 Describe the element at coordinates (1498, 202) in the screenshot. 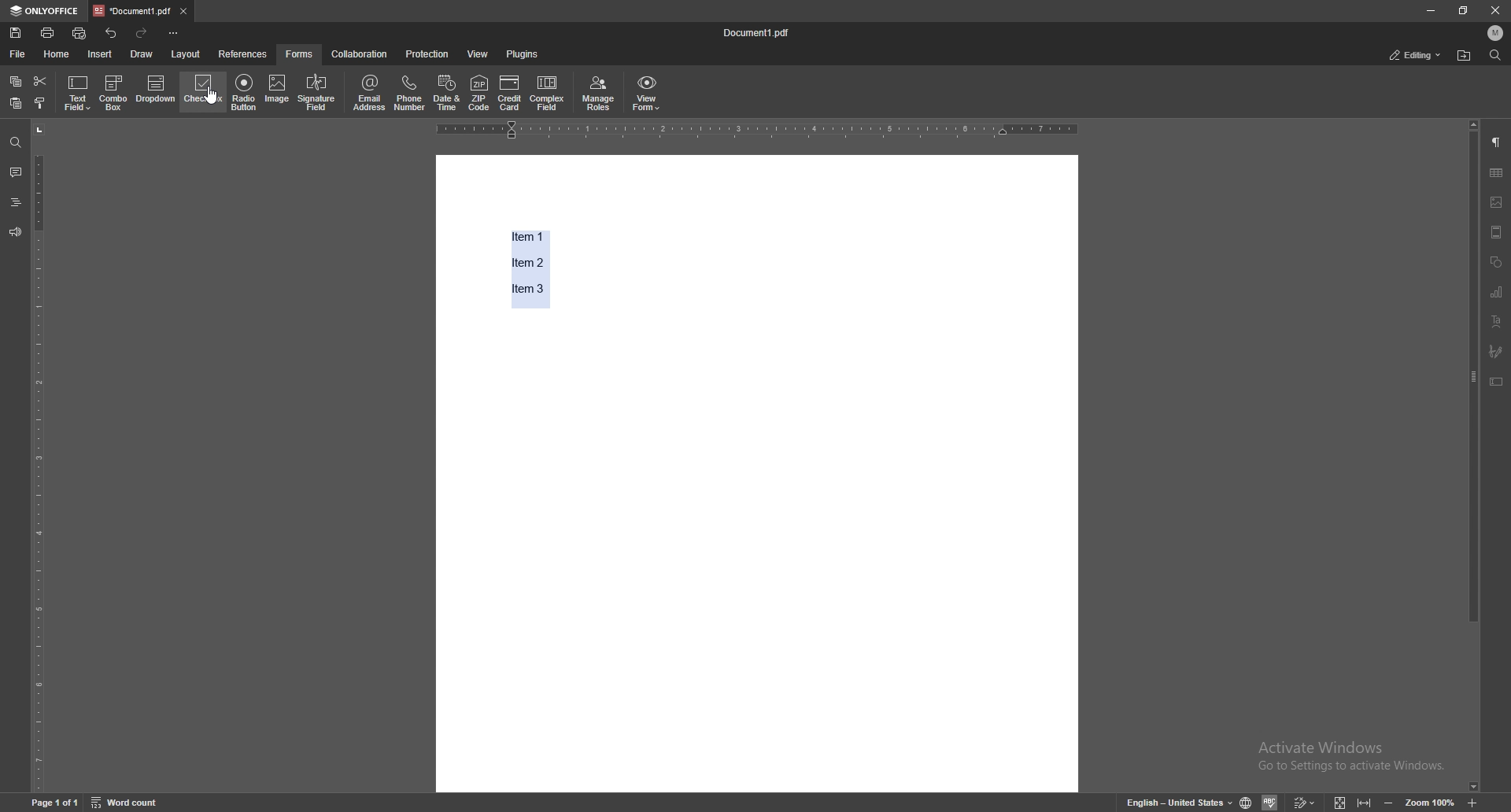

I see `image` at that location.